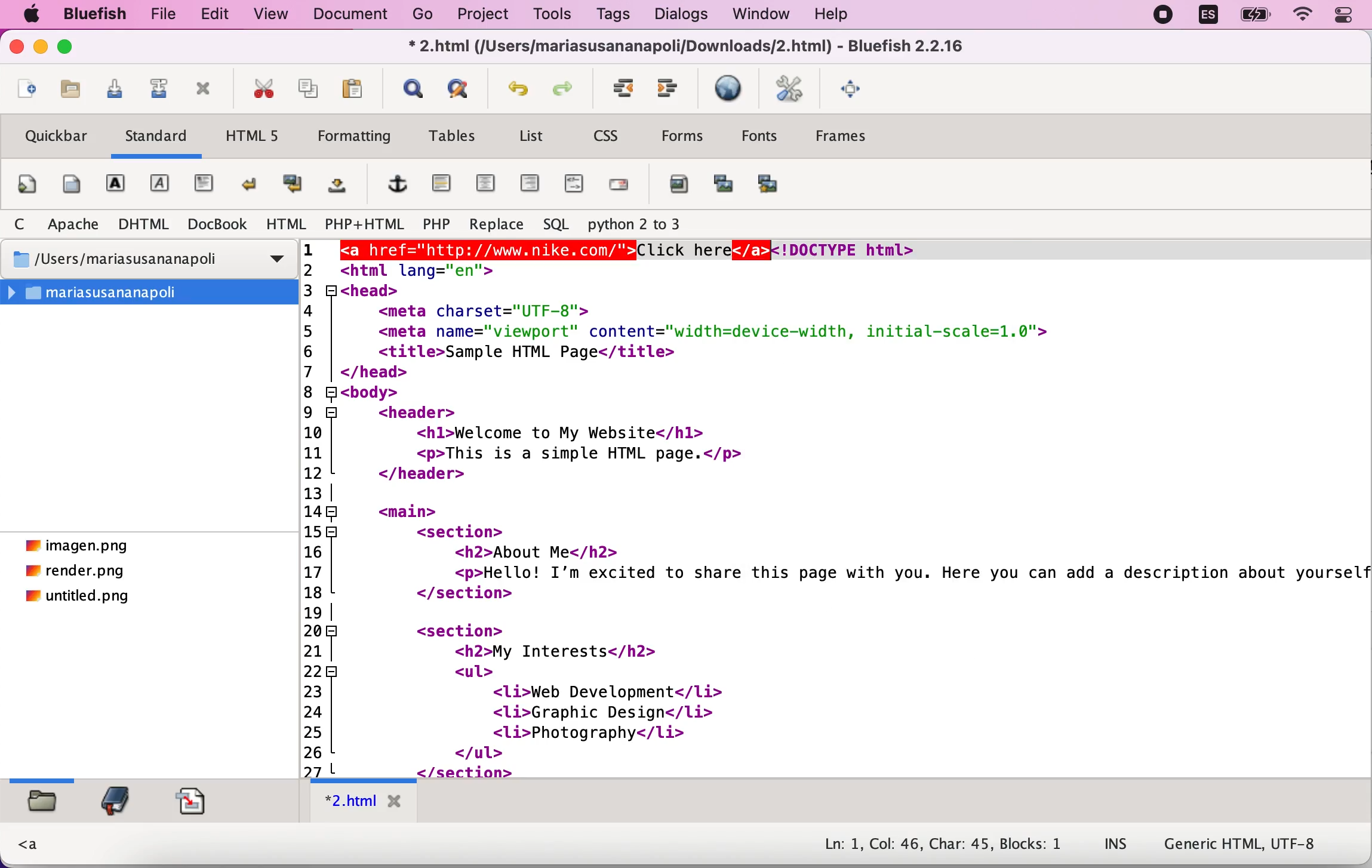  Describe the element at coordinates (1242, 846) in the screenshot. I see `generic html` at that location.